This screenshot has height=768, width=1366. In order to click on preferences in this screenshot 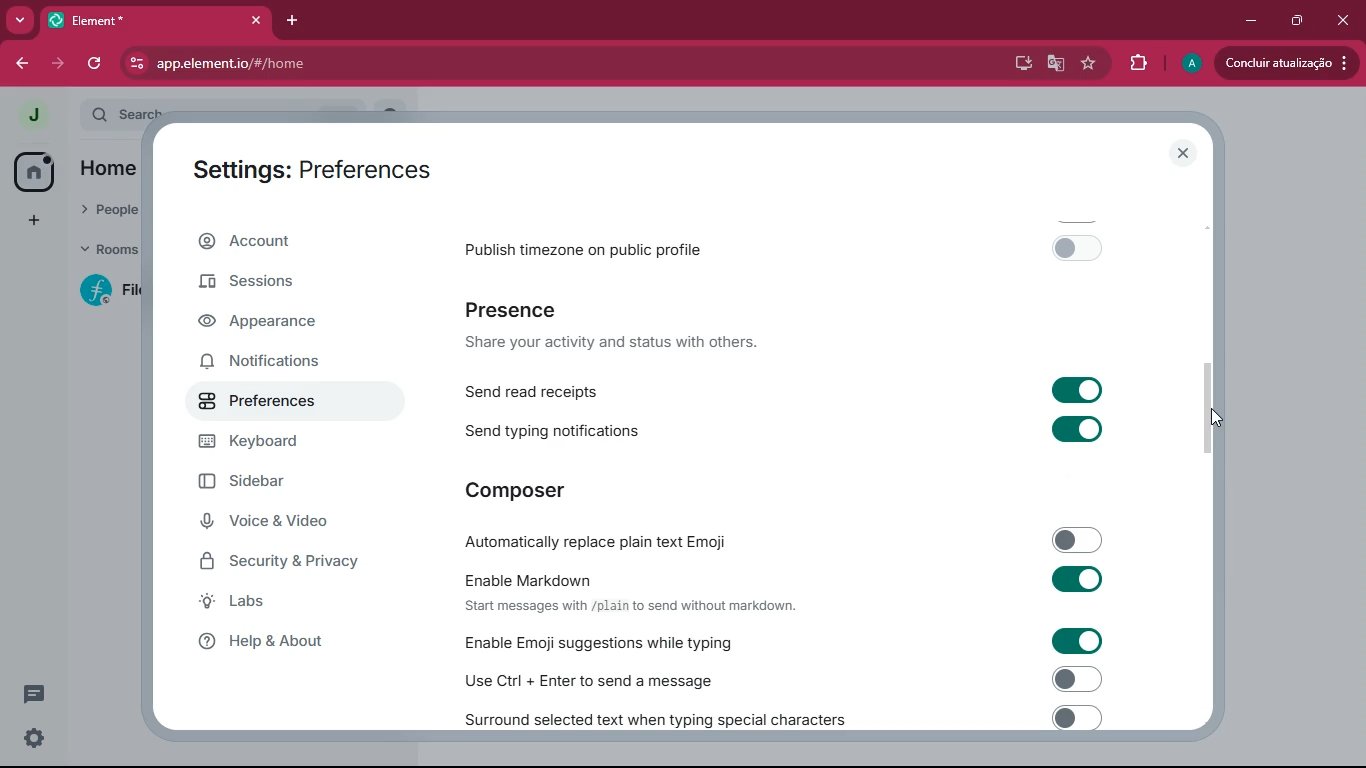, I will do `click(273, 409)`.